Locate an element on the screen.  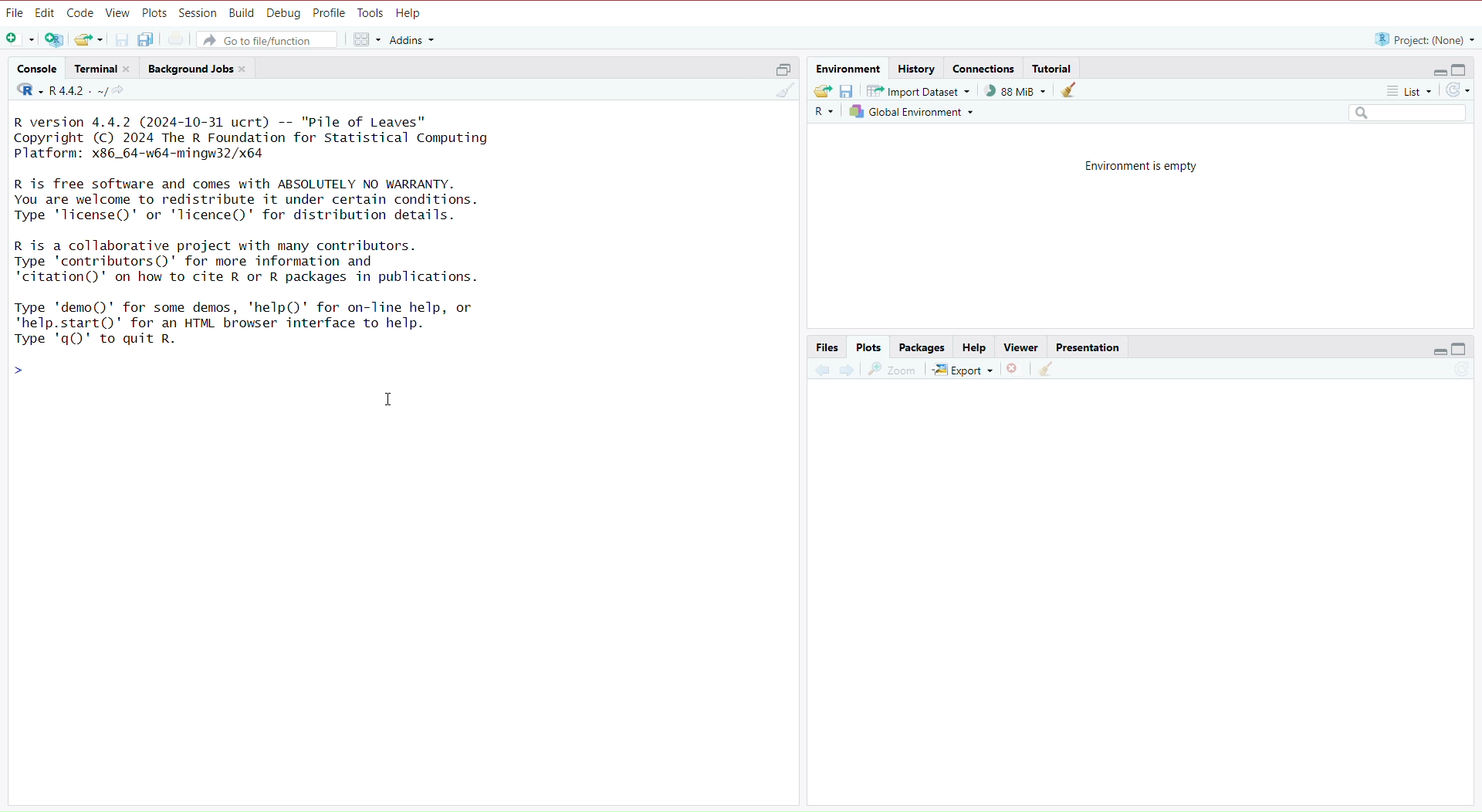
connections is located at coordinates (985, 70).